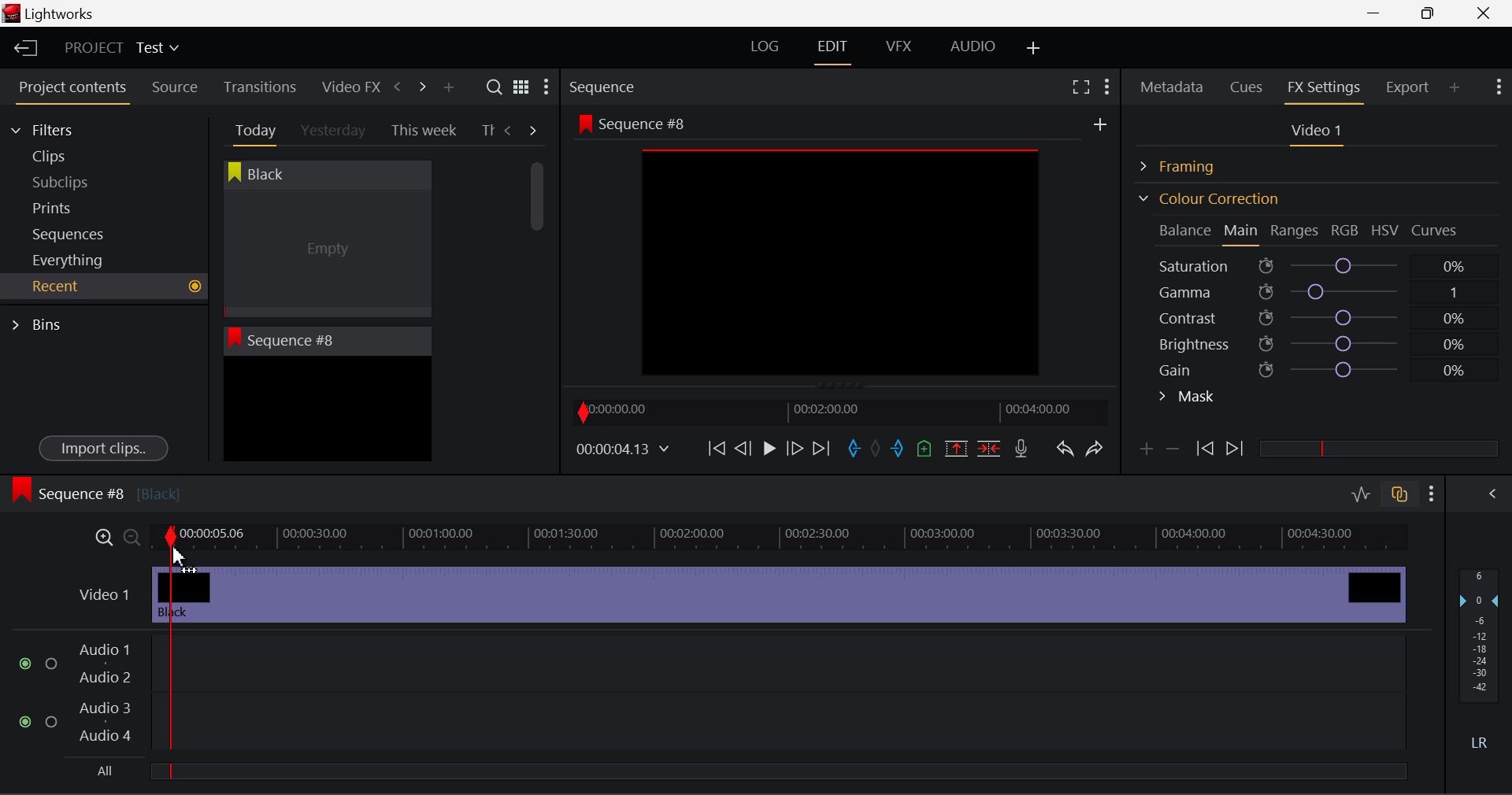 The width and height of the screenshot is (1512, 795). What do you see at coordinates (104, 287) in the screenshot?
I see `Recent Tab Open` at bounding box center [104, 287].